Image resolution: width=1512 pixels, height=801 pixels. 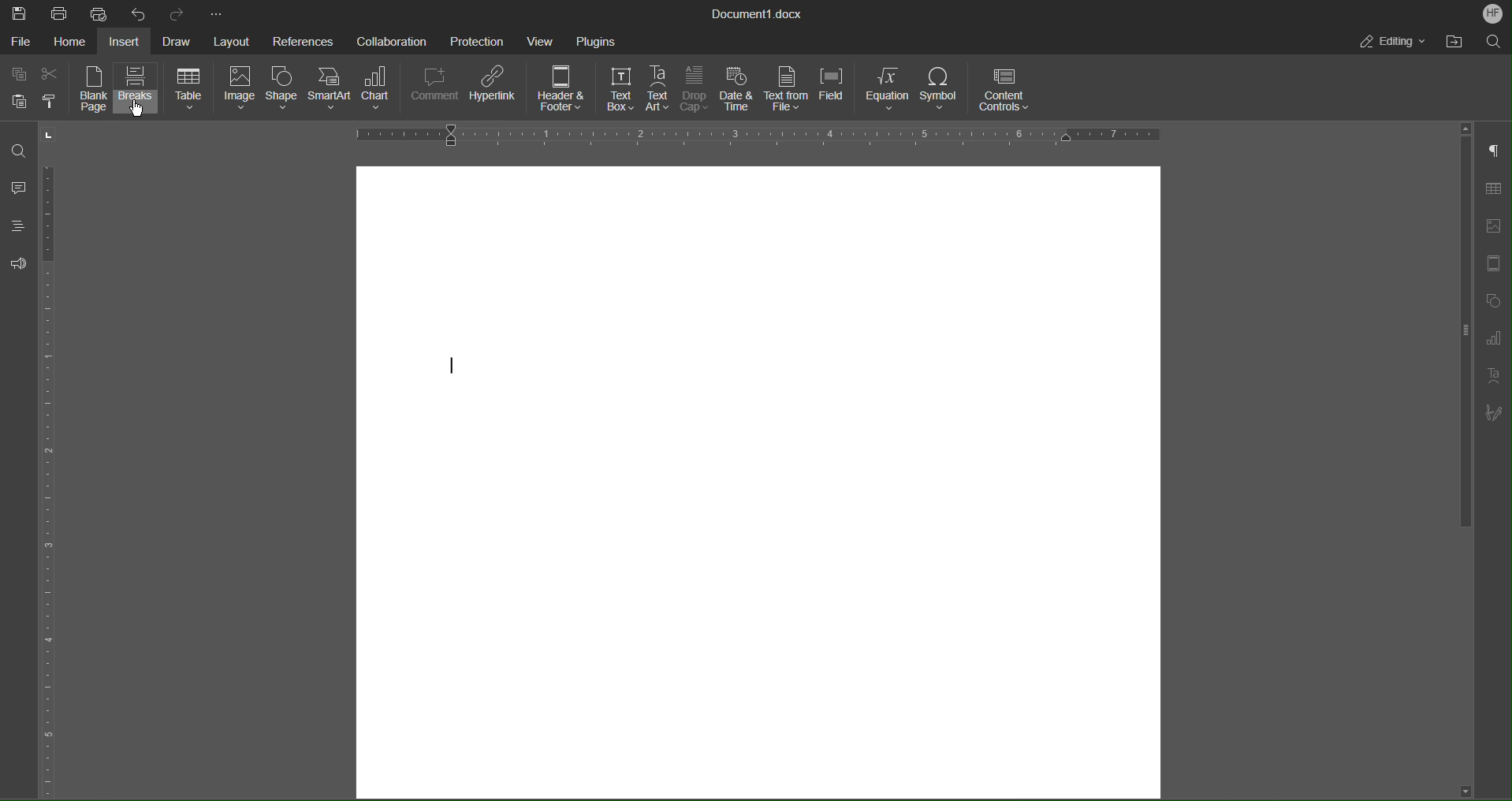 What do you see at coordinates (1492, 227) in the screenshot?
I see `Image Settings` at bounding box center [1492, 227].